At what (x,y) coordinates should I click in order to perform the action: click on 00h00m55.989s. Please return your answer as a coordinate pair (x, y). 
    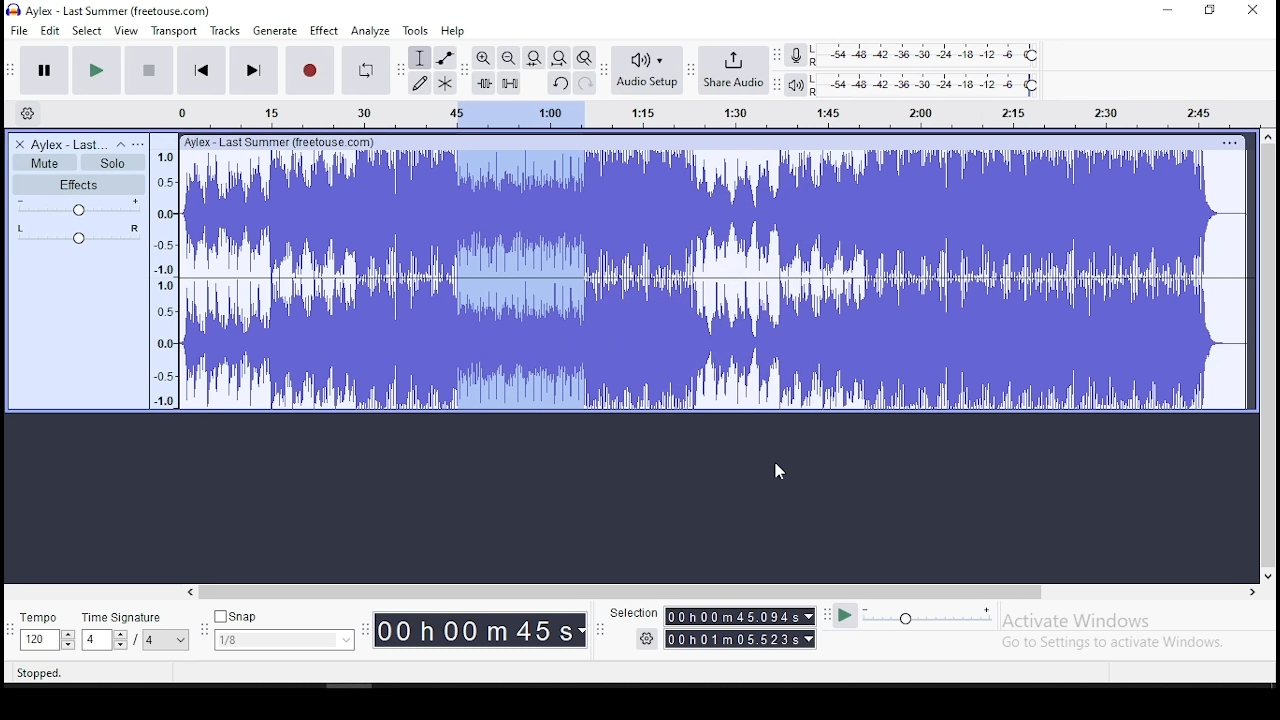
    Looking at the image, I should click on (741, 616).